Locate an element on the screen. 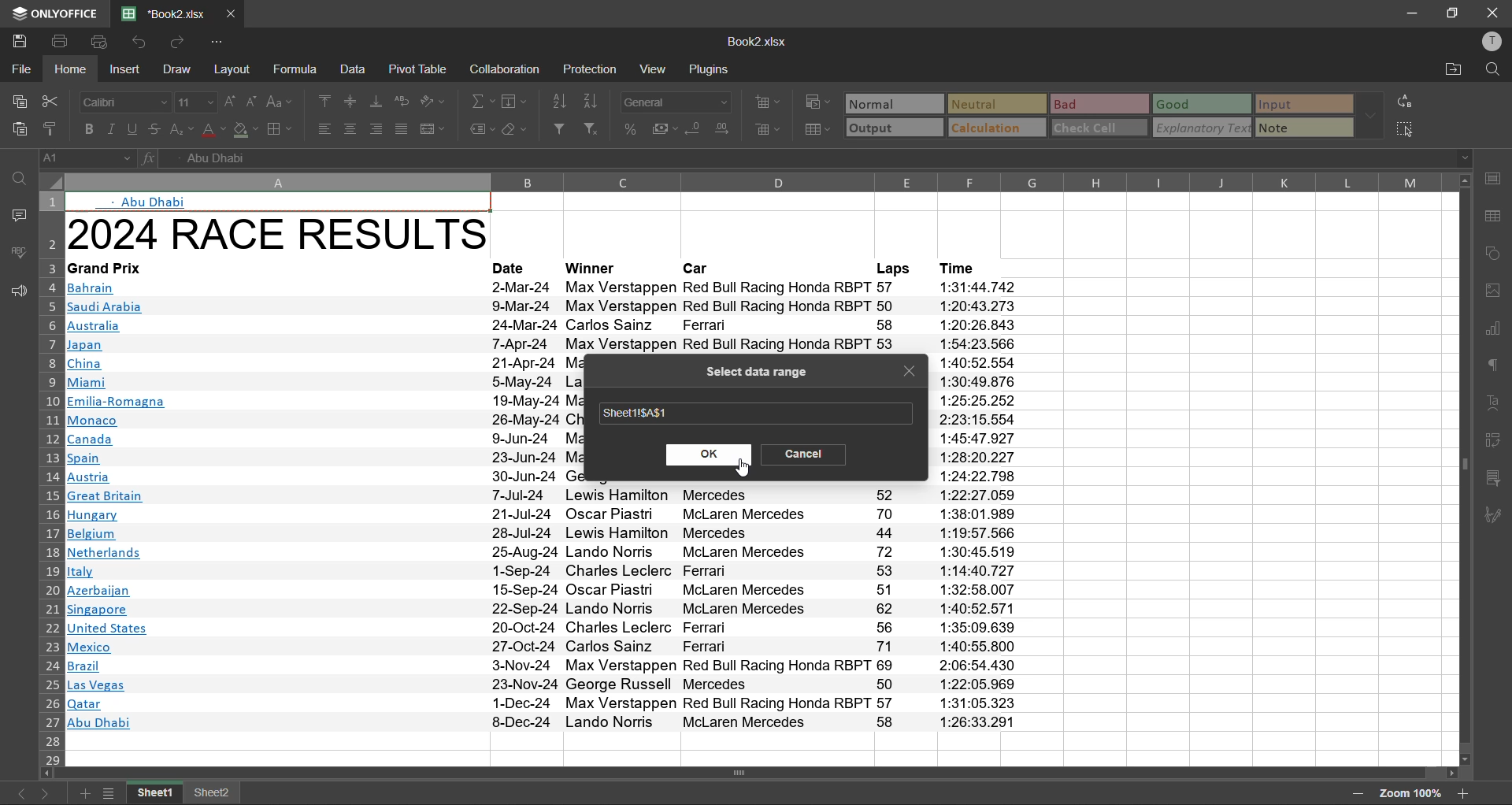  find is located at coordinates (24, 182).